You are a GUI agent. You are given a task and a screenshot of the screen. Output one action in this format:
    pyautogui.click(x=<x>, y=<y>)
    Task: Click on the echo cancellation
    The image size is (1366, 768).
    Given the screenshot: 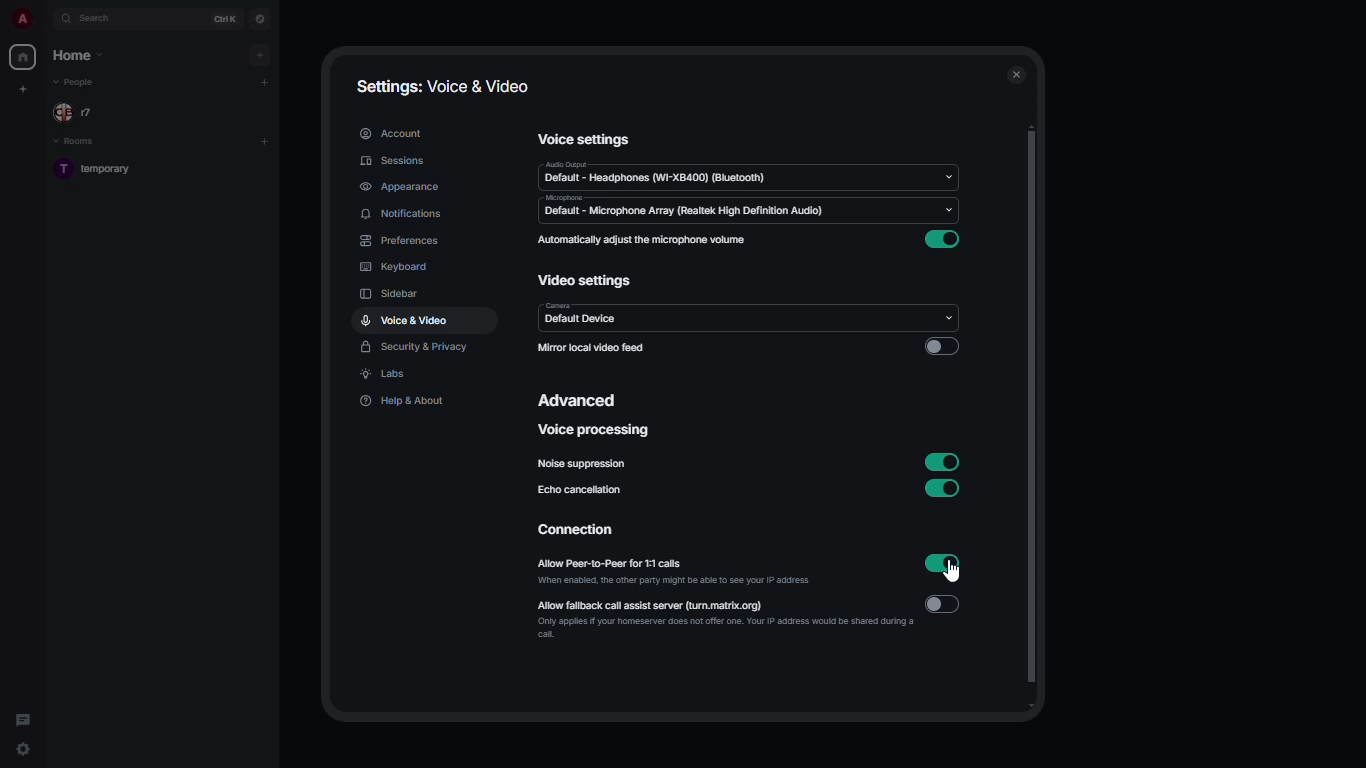 What is the action you would take?
    pyautogui.click(x=580, y=490)
    